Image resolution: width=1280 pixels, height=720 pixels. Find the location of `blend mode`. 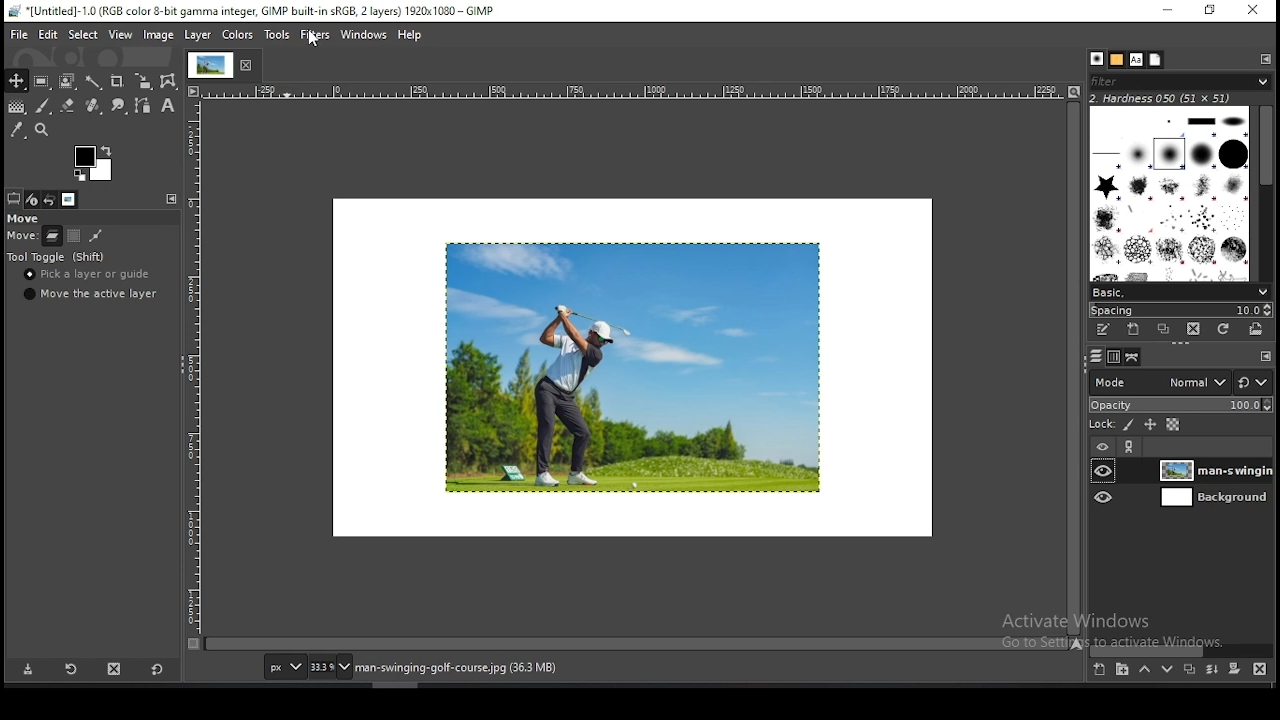

blend mode is located at coordinates (1157, 382).